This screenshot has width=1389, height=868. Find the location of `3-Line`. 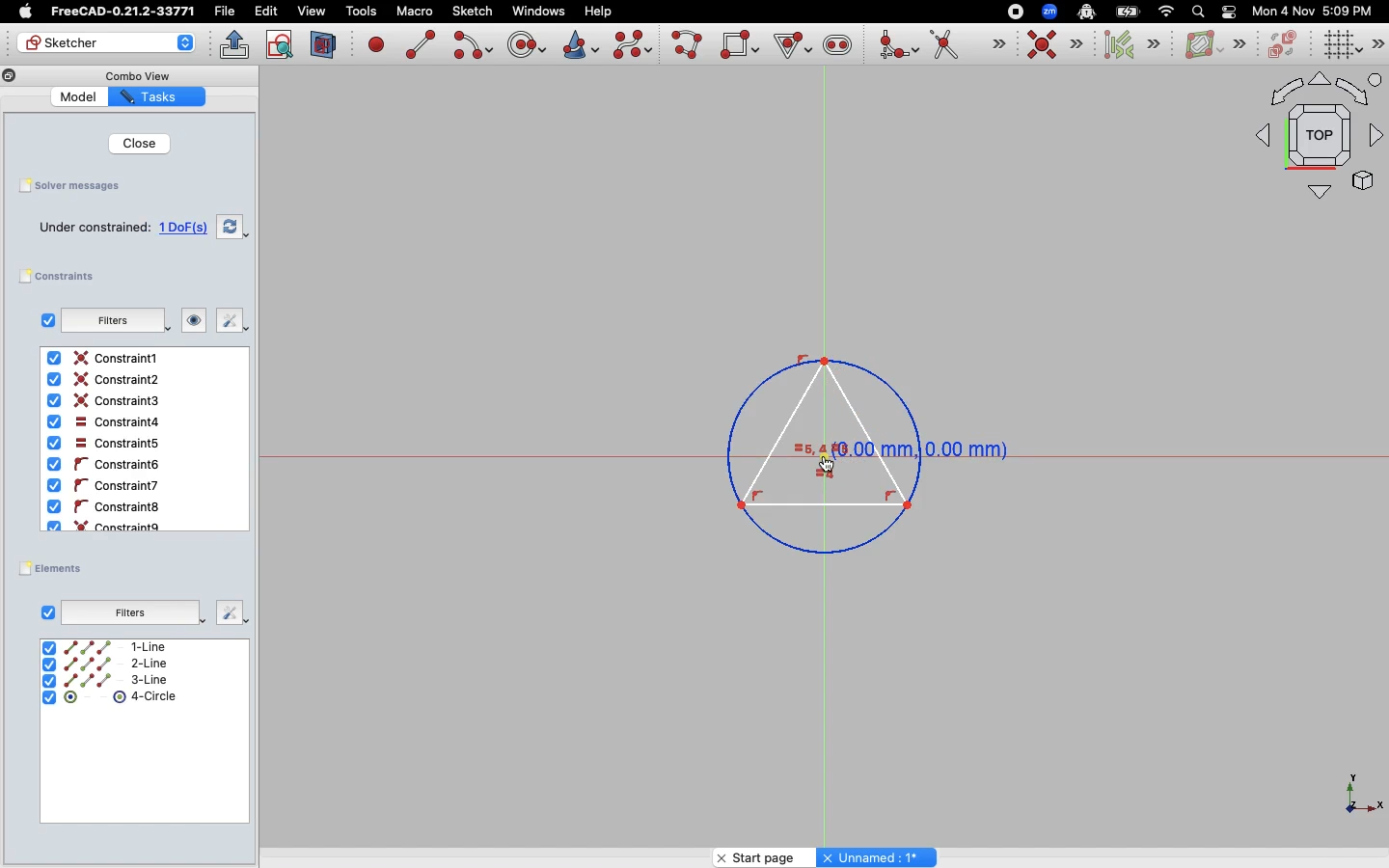

3-Line is located at coordinates (118, 680).